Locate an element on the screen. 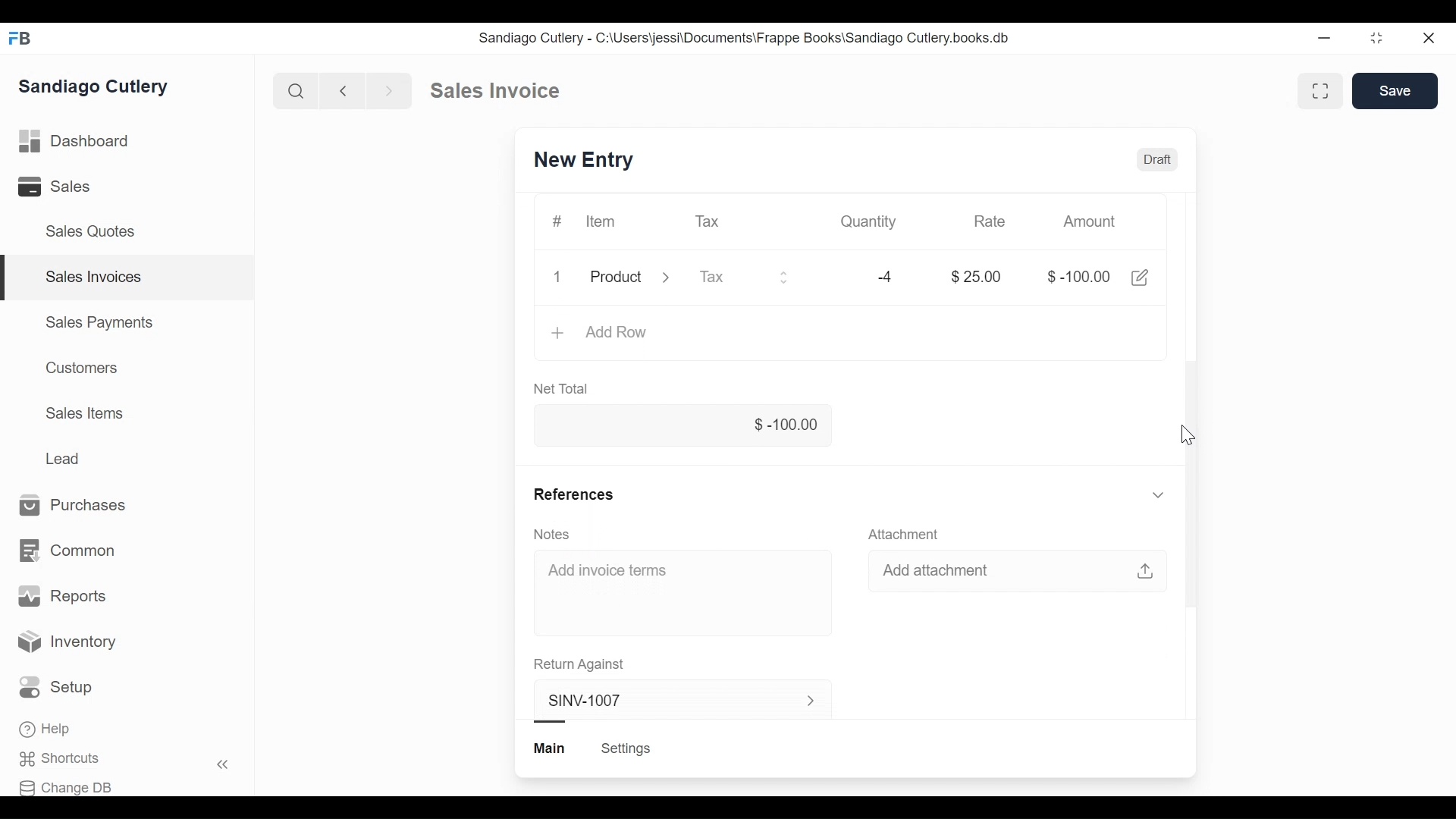 The image size is (1456, 819). Item is located at coordinates (601, 221).